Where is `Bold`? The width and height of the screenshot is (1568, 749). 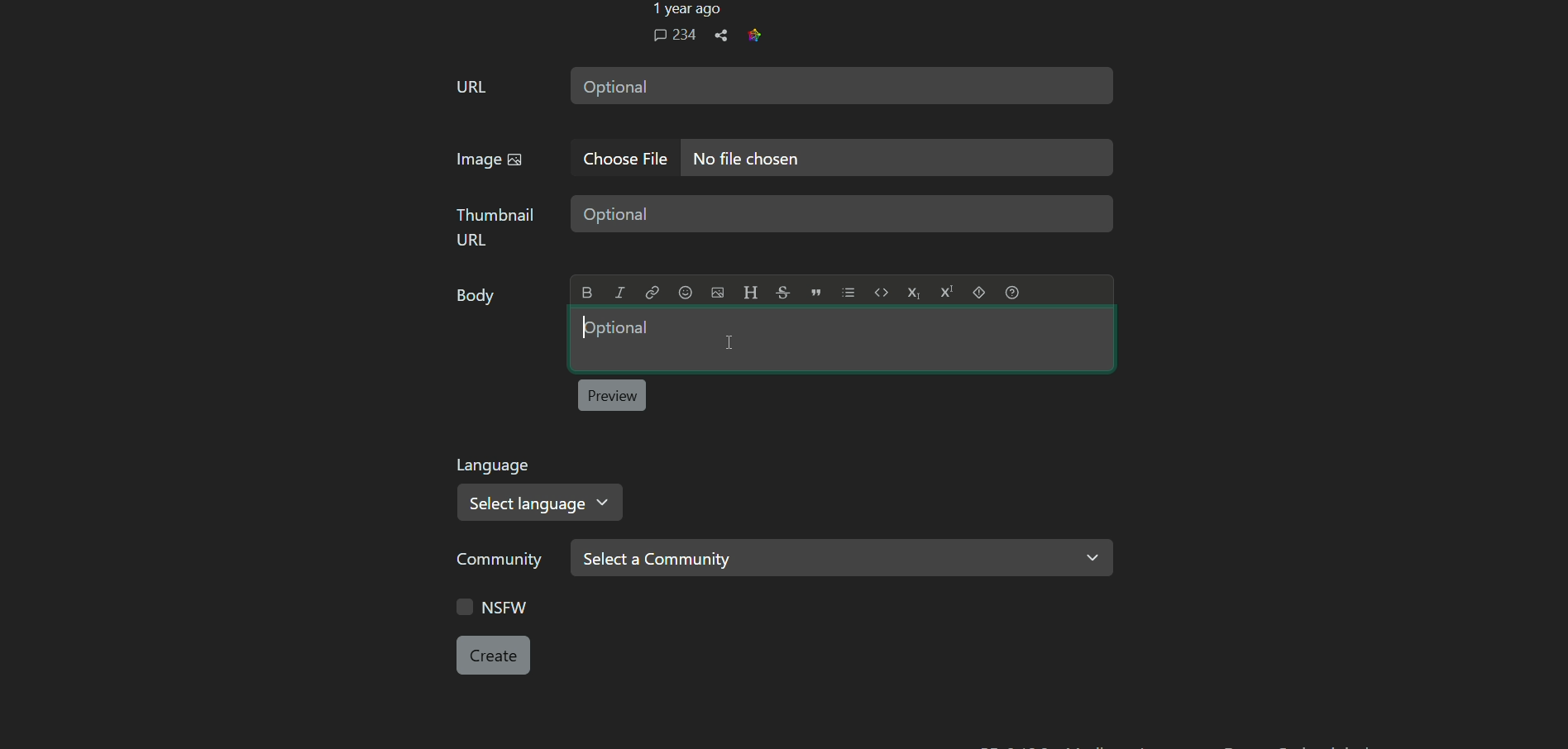
Bold is located at coordinates (588, 293).